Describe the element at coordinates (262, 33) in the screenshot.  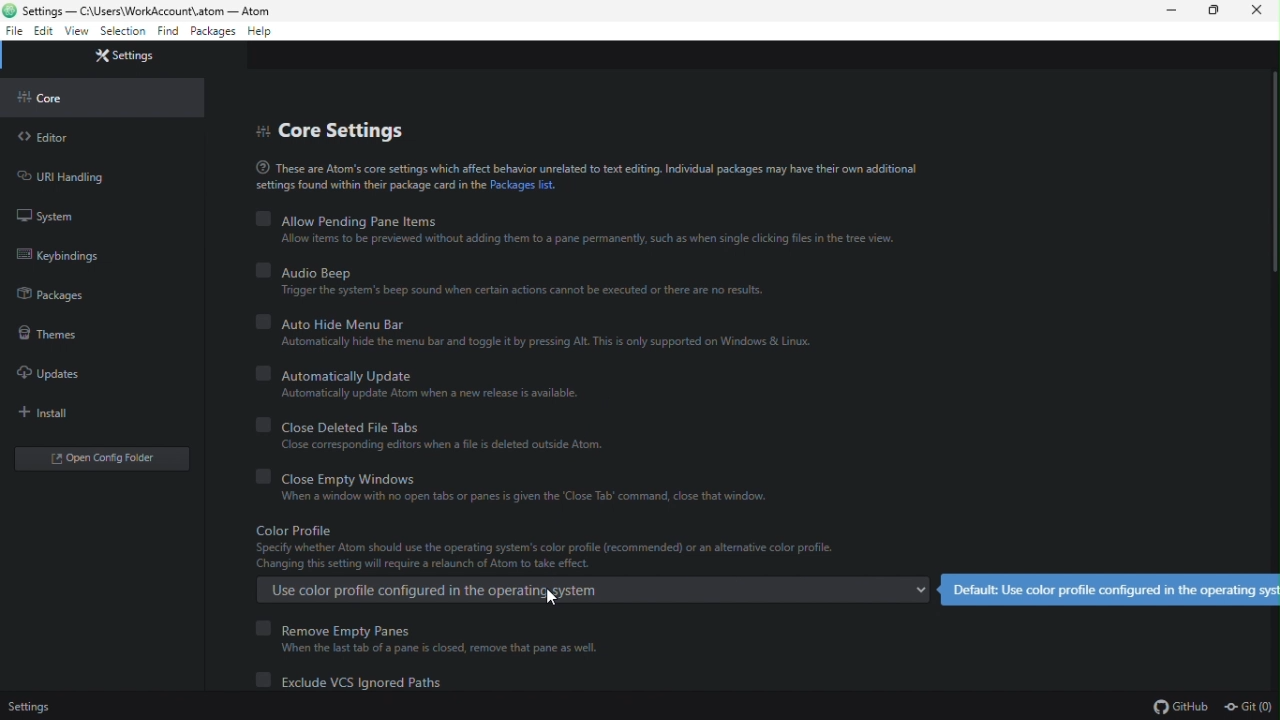
I see `help` at that location.